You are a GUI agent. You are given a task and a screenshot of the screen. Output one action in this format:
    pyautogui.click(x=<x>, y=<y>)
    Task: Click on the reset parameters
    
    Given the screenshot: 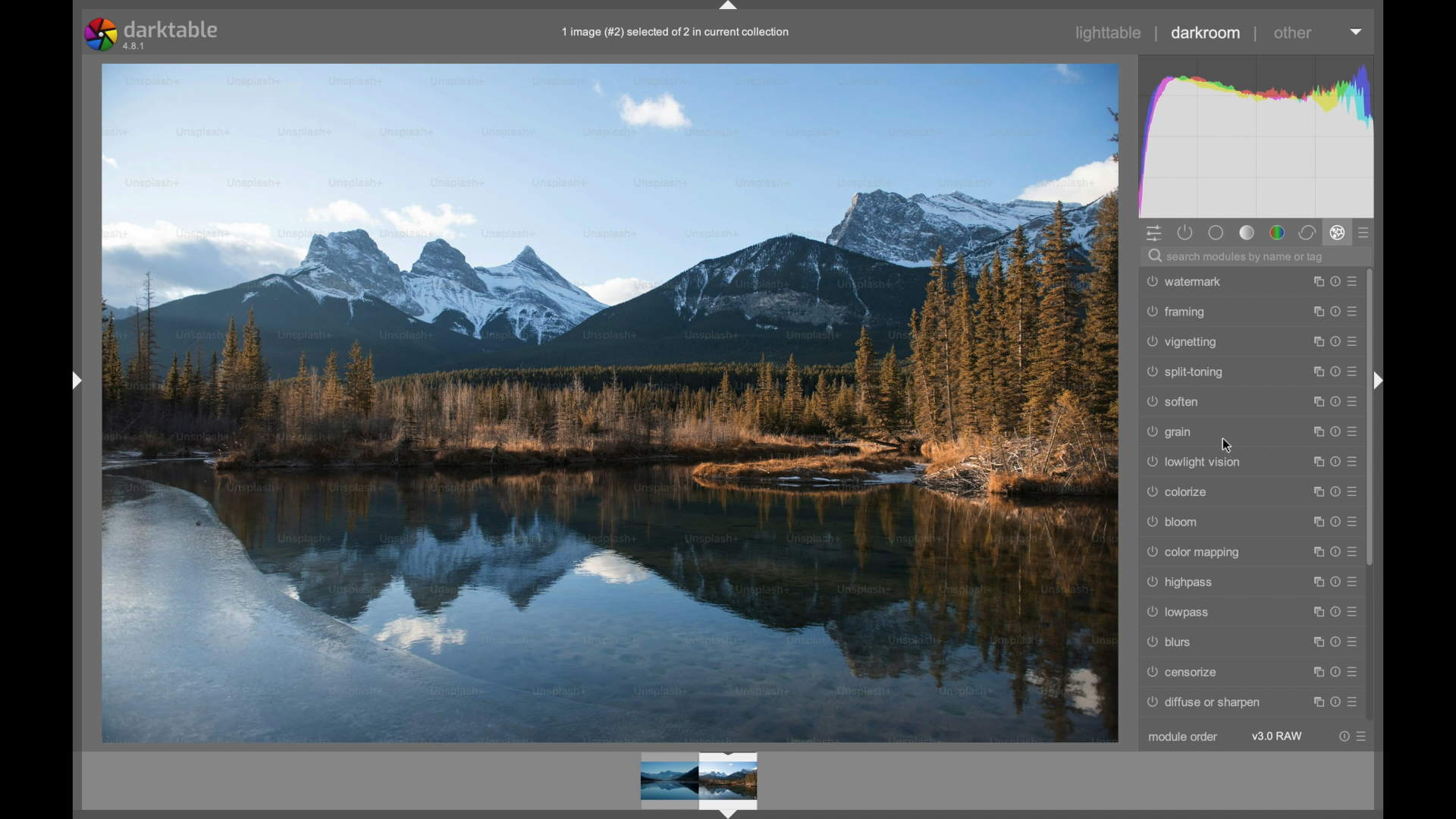 What is the action you would take?
    pyautogui.click(x=1335, y=671)
    